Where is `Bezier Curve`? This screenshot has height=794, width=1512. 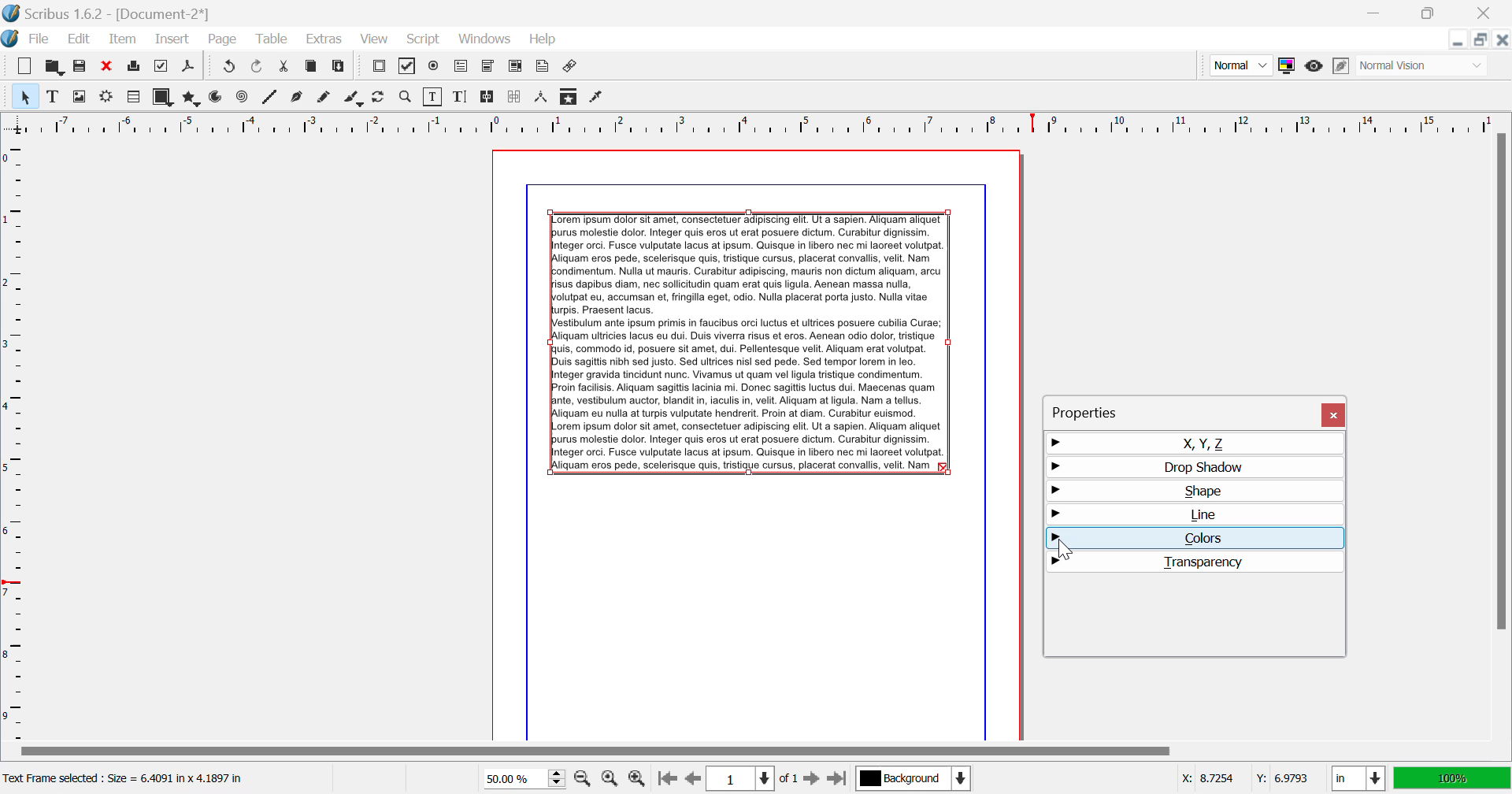
Bezier Curve is located at coordinates (298, 98).